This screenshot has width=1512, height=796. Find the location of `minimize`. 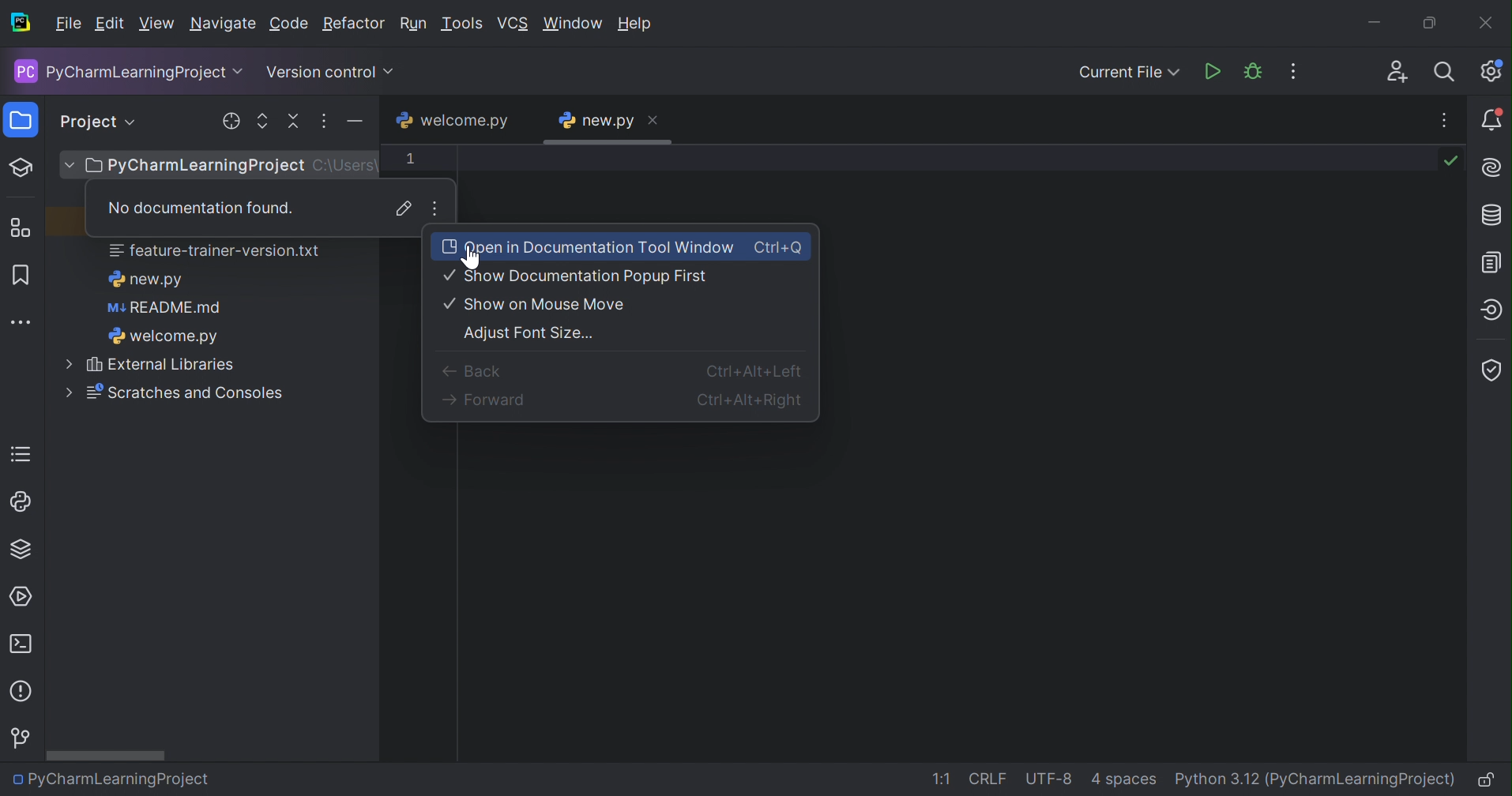

minimize is located at coordinates (358, 123).